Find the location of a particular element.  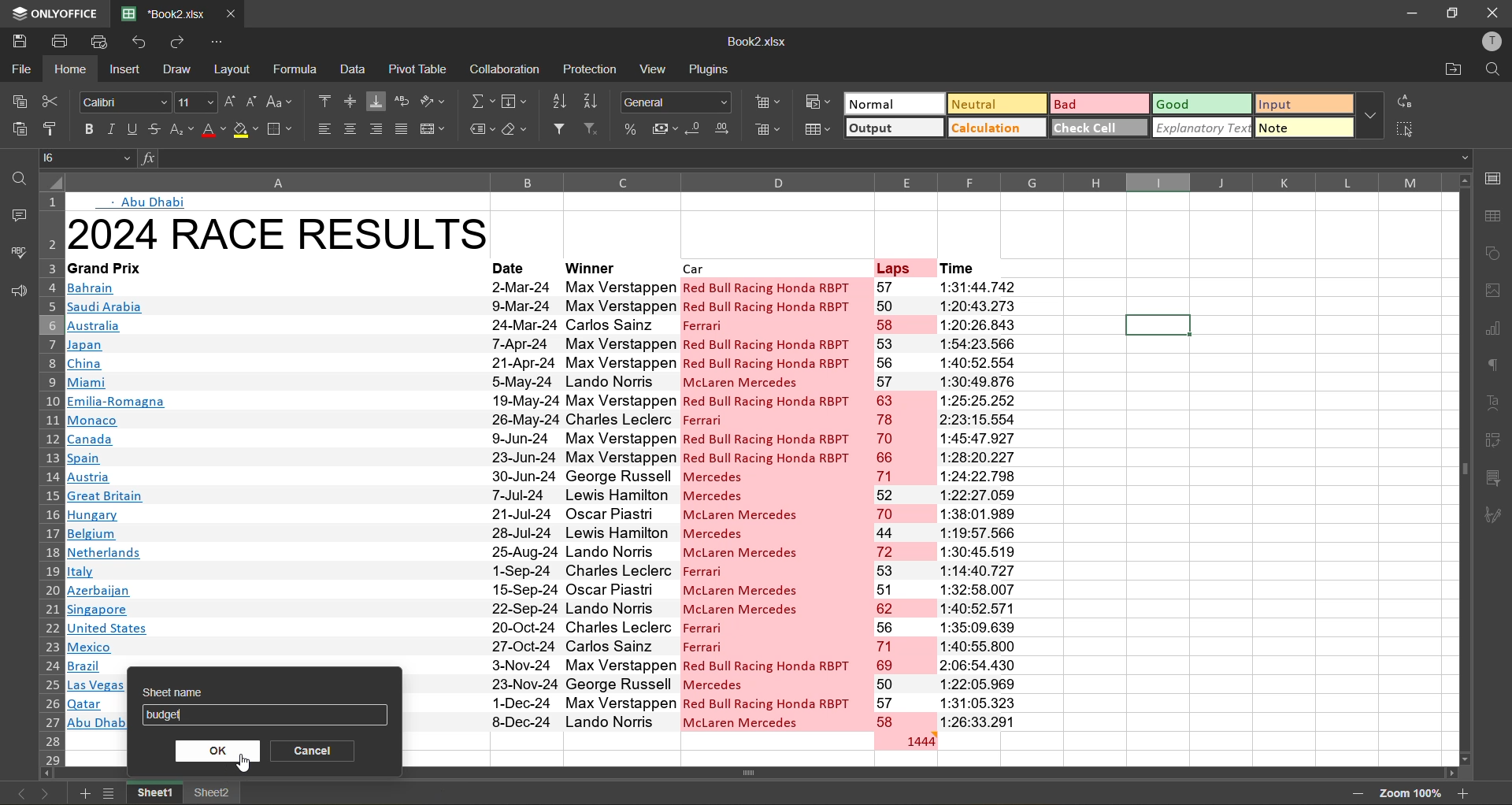

sheet2 is located at coordinates (213, 792).